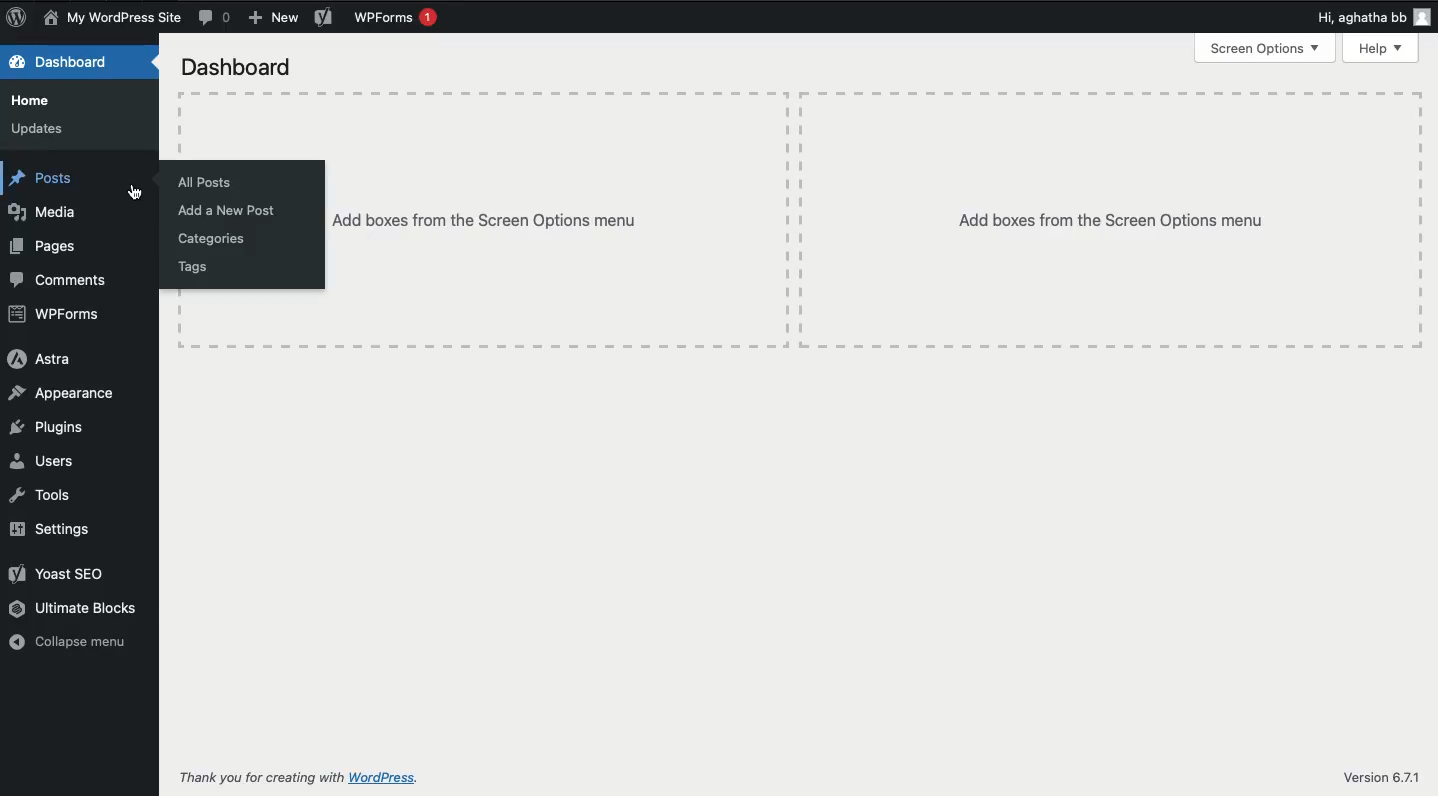 The width and height of the screenshot is (1438, 796). I want to click on Pages, so click(43, 246).